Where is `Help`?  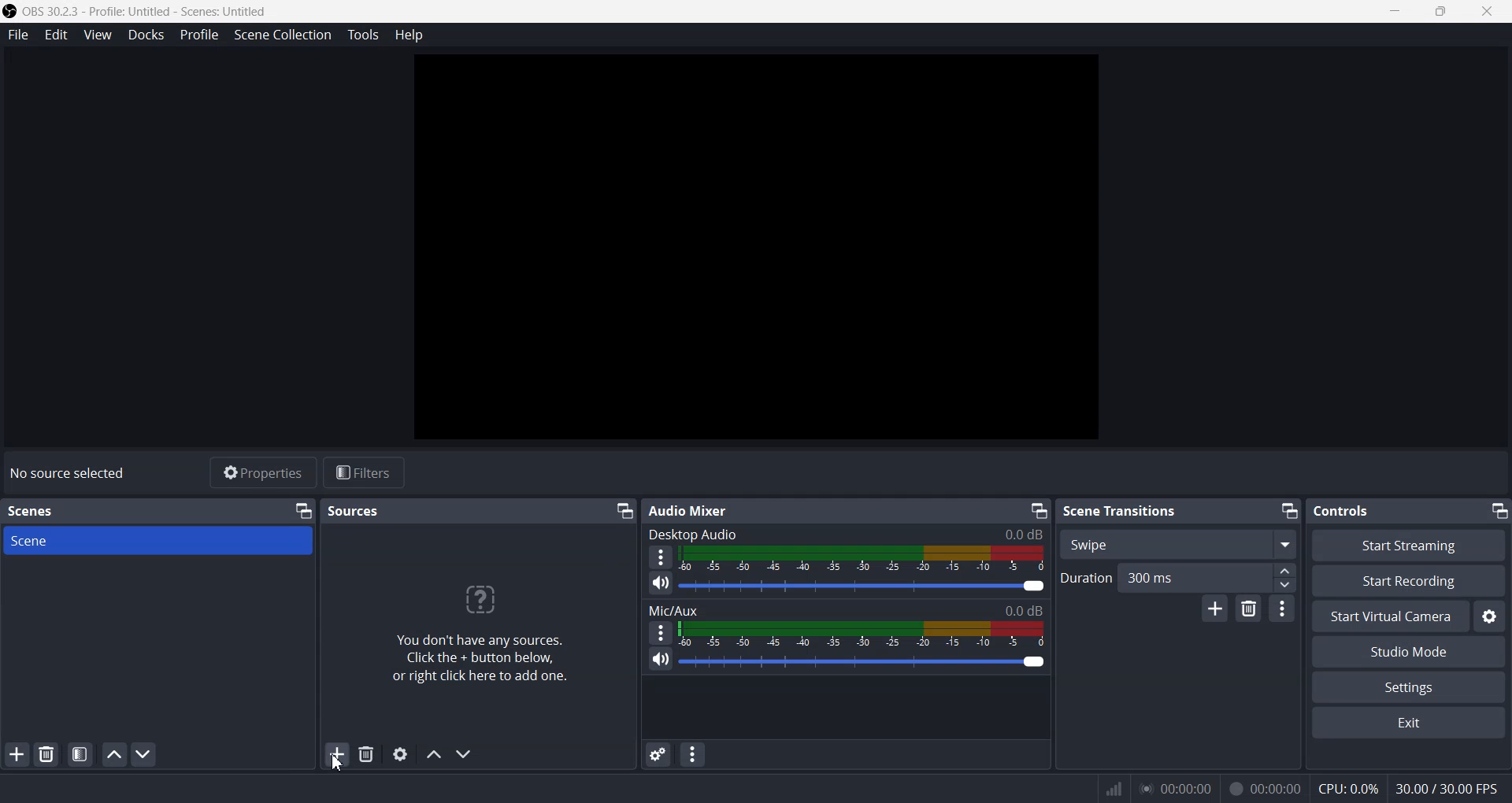
Help is located at coordinates (409, 35).